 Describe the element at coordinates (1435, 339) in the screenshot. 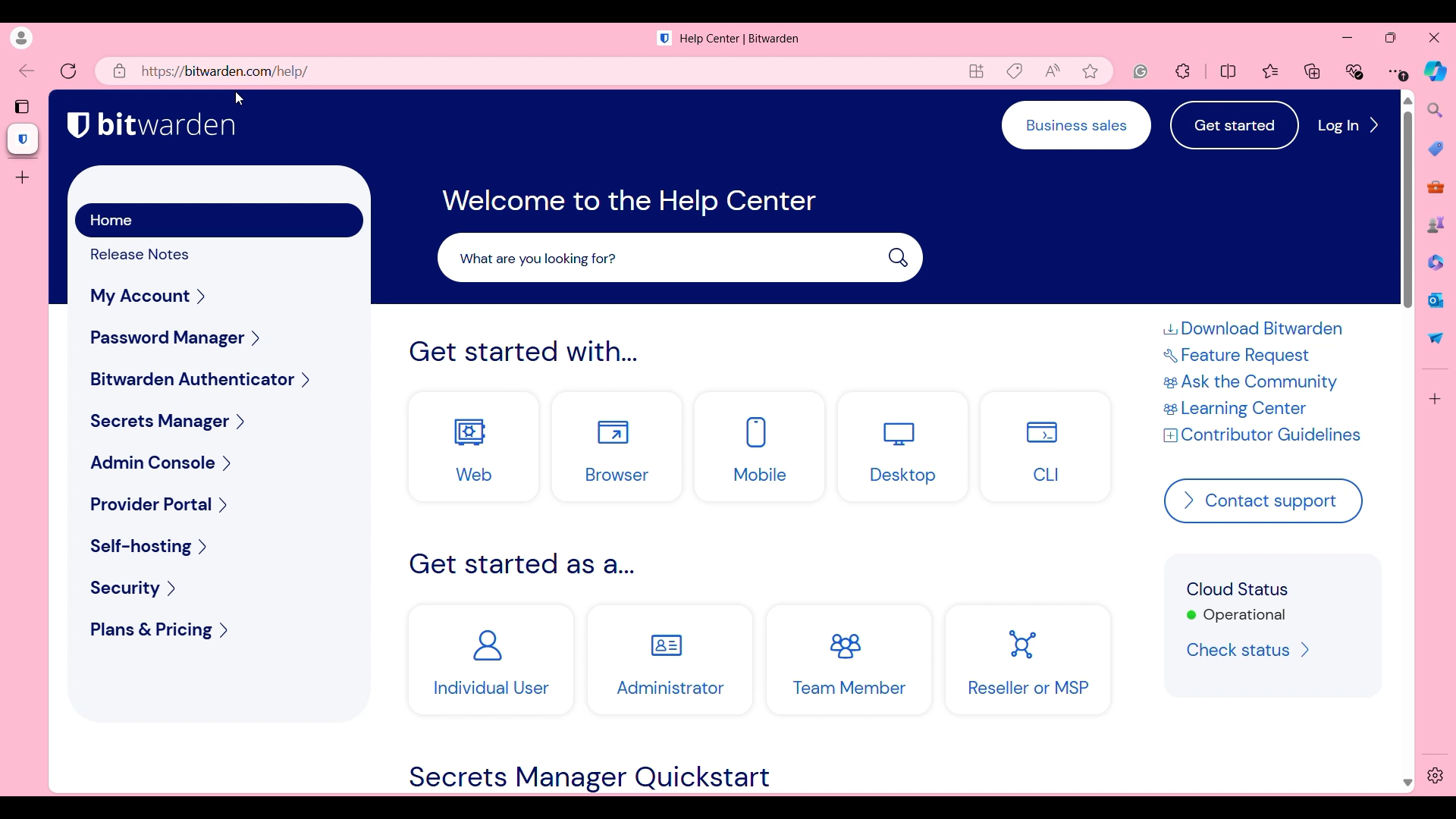

I see `Sharing` at that location.